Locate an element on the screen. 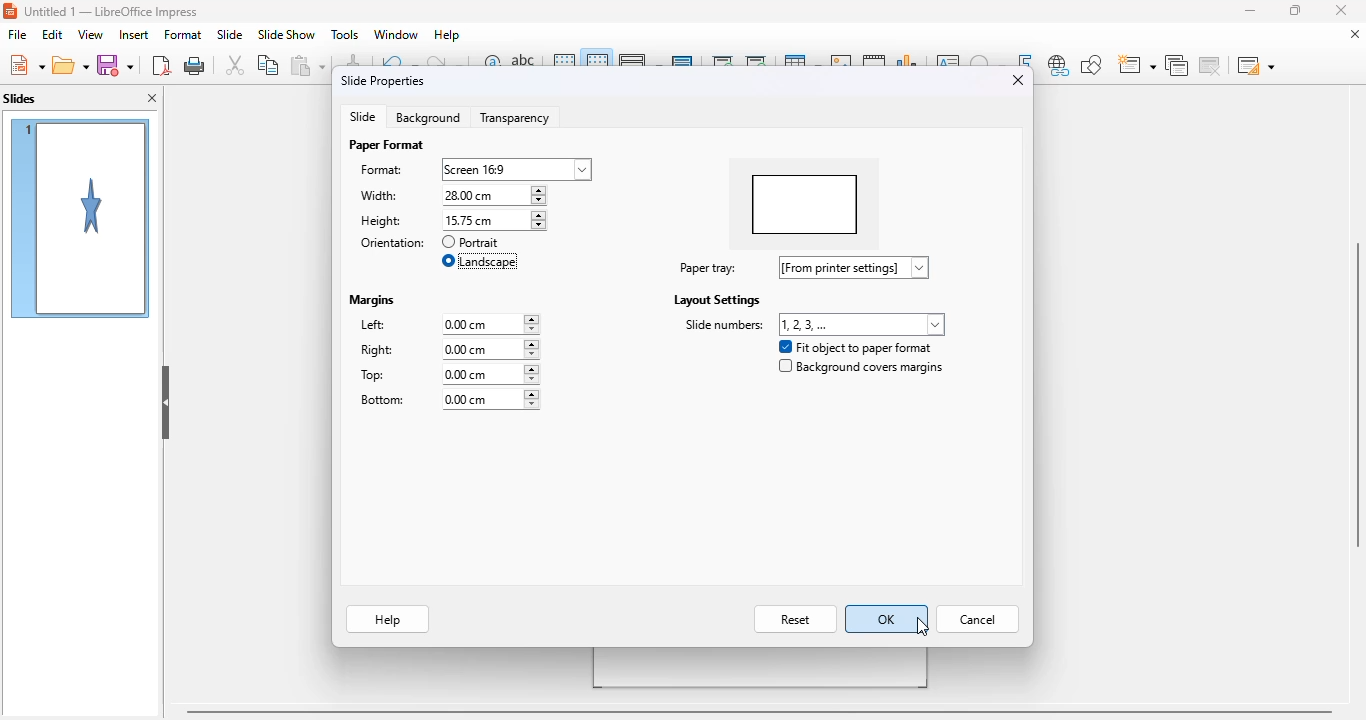 The height and width of the screenshot is (720, 1366). window is located at coordinates (394, 35).